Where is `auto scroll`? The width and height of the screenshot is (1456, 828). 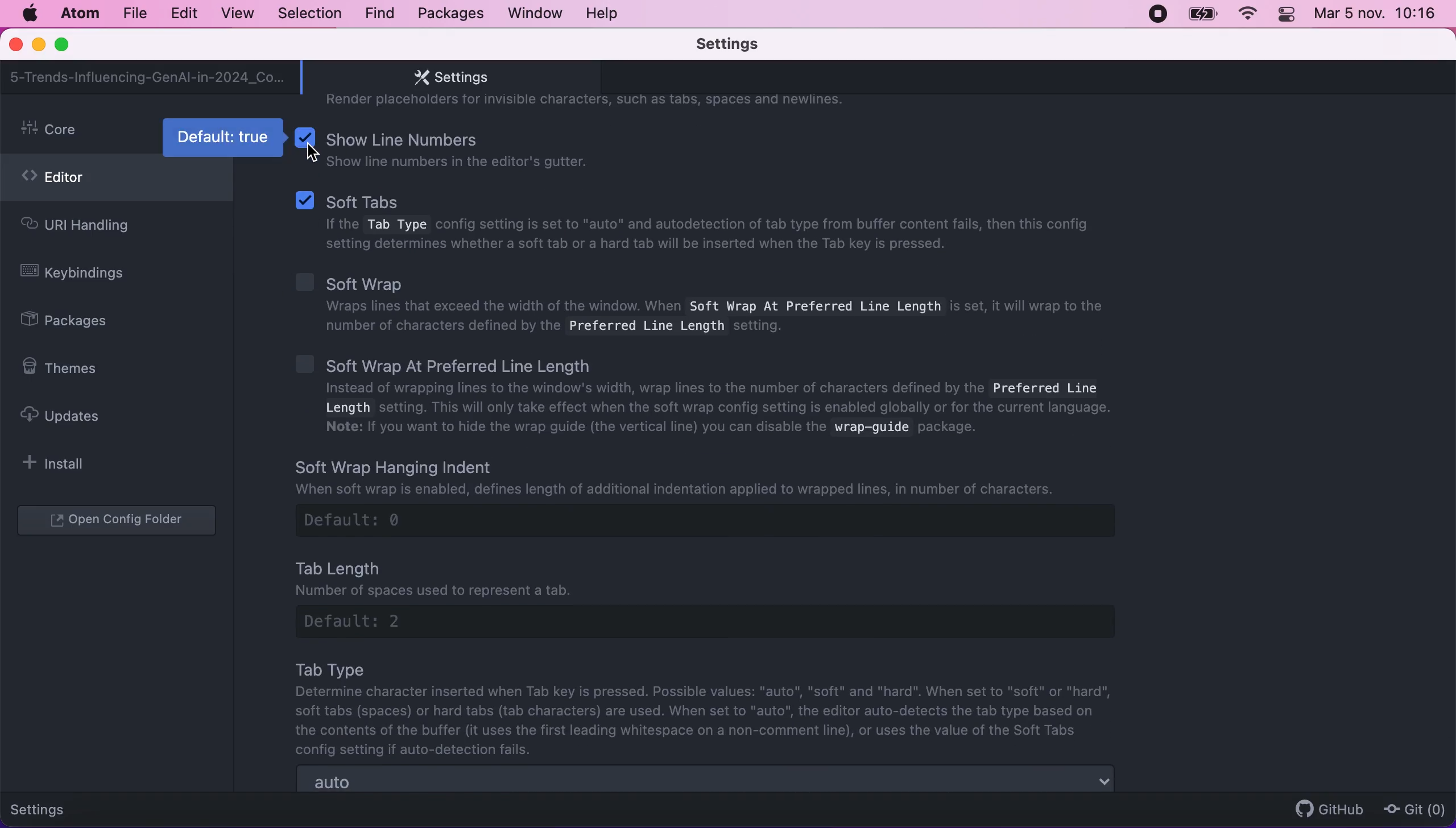 auto scroll is located at coordinates (707, 780).